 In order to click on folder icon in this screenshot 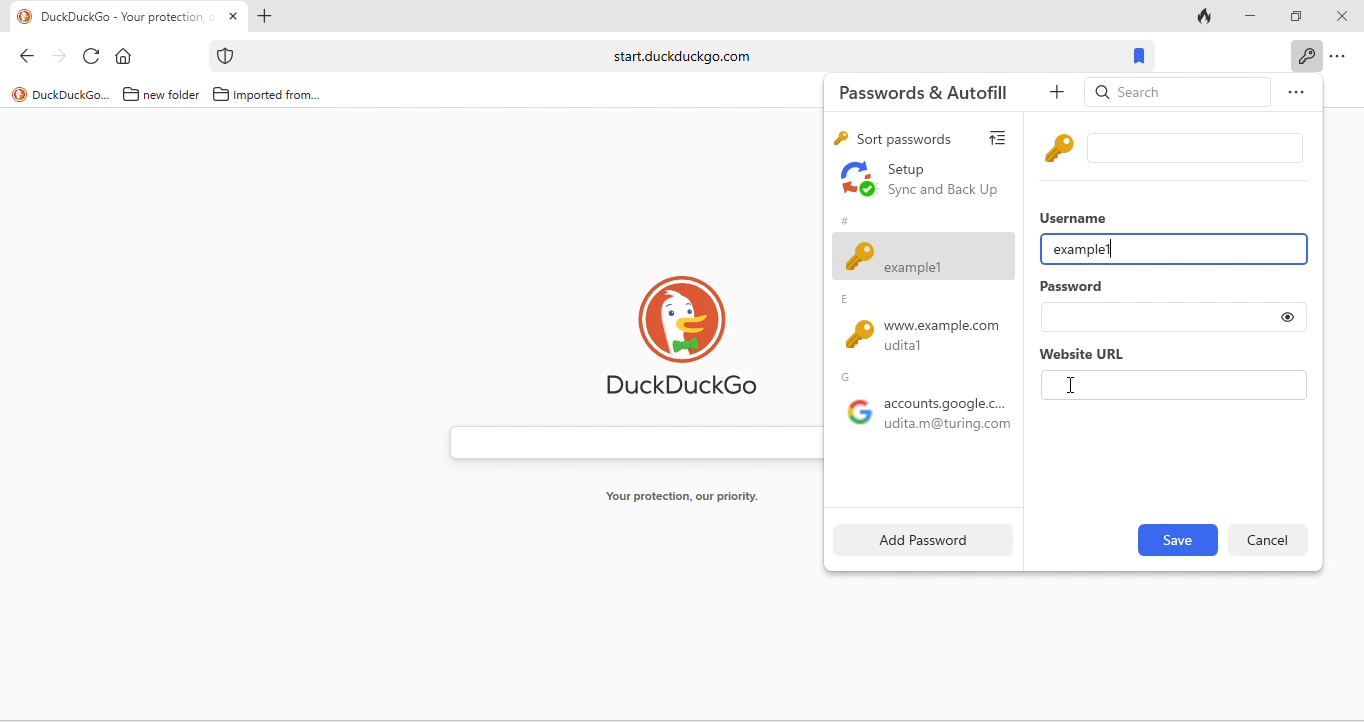, I will do `click(221, 94)`.